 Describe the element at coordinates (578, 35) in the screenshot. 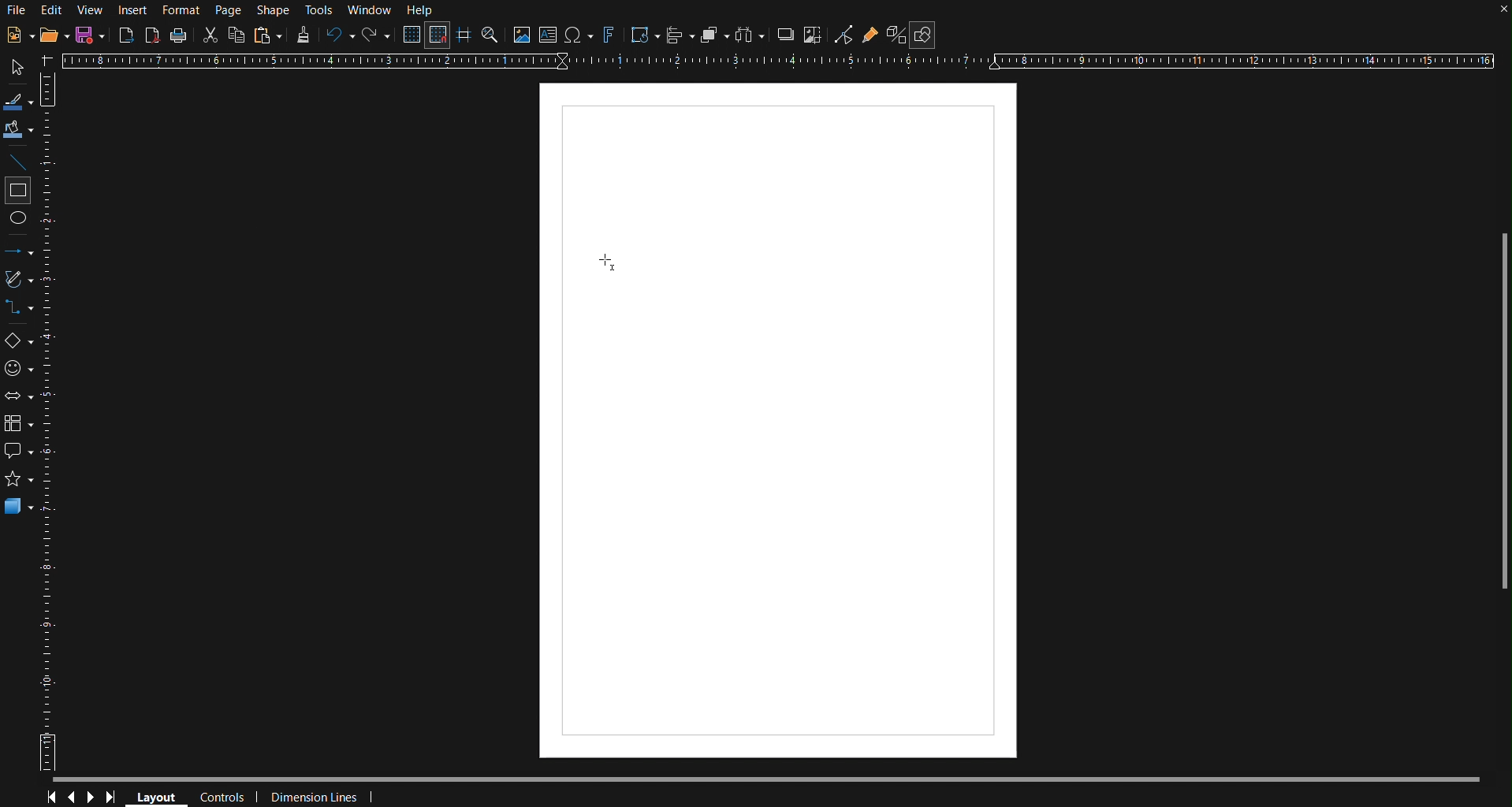

I see `Insert Special Character` at that location.